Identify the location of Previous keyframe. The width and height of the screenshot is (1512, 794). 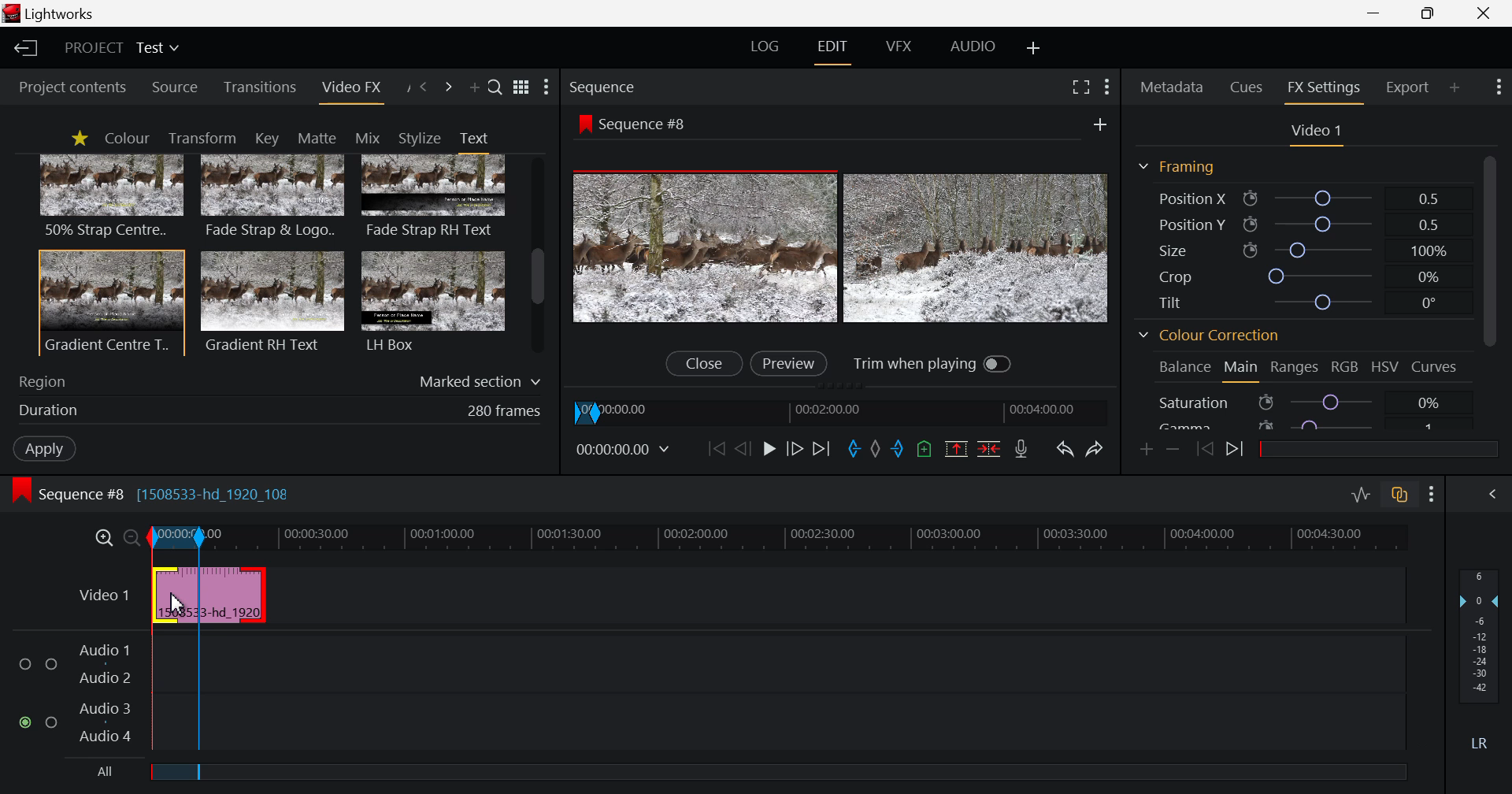
(1205, 449).